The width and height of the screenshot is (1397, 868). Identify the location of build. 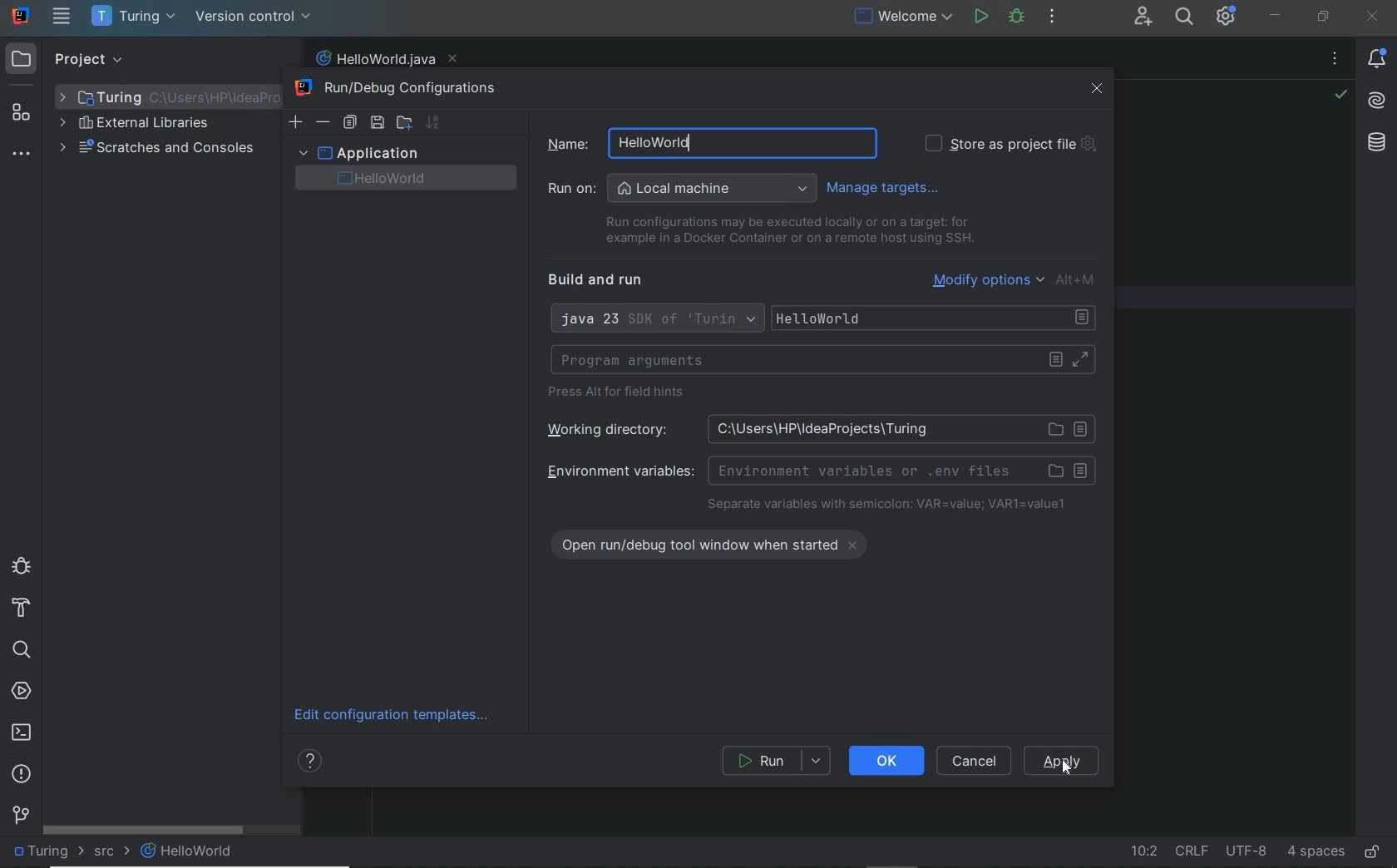
(22, 609).